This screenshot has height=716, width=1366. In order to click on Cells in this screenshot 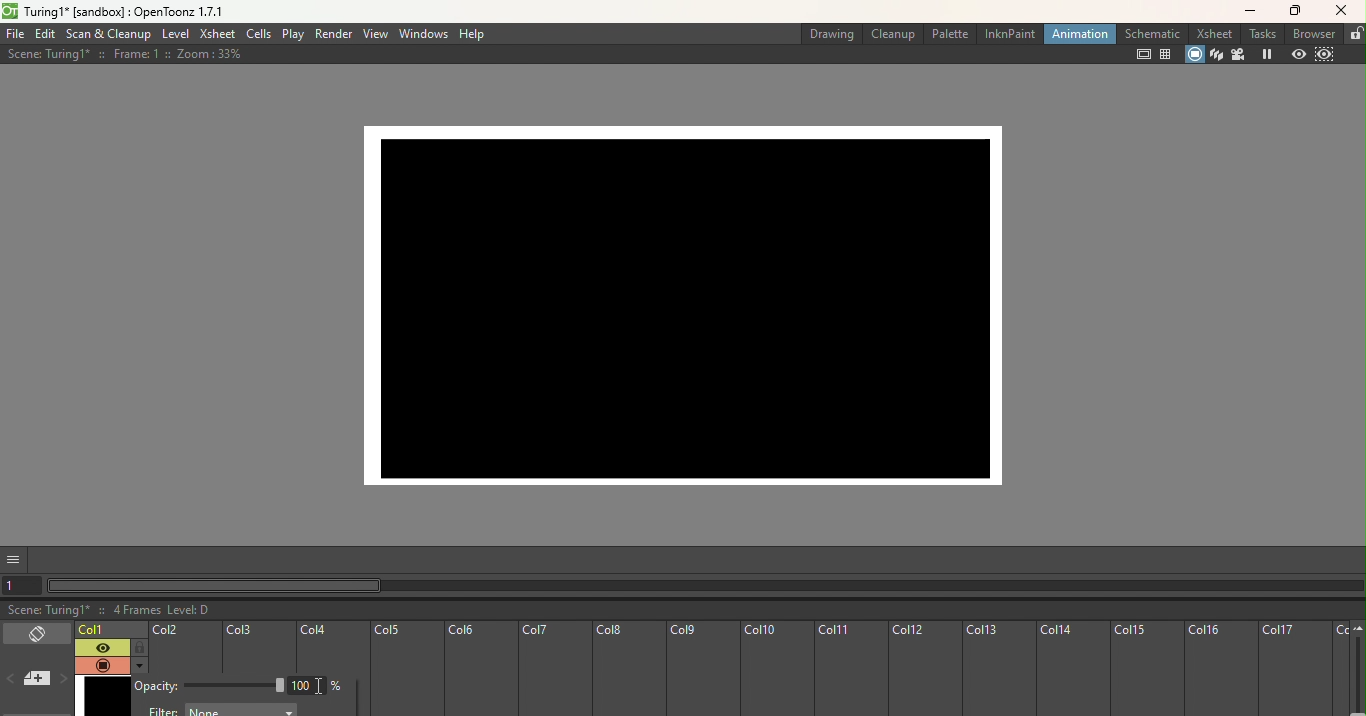, I will do `click(256, 34)`.